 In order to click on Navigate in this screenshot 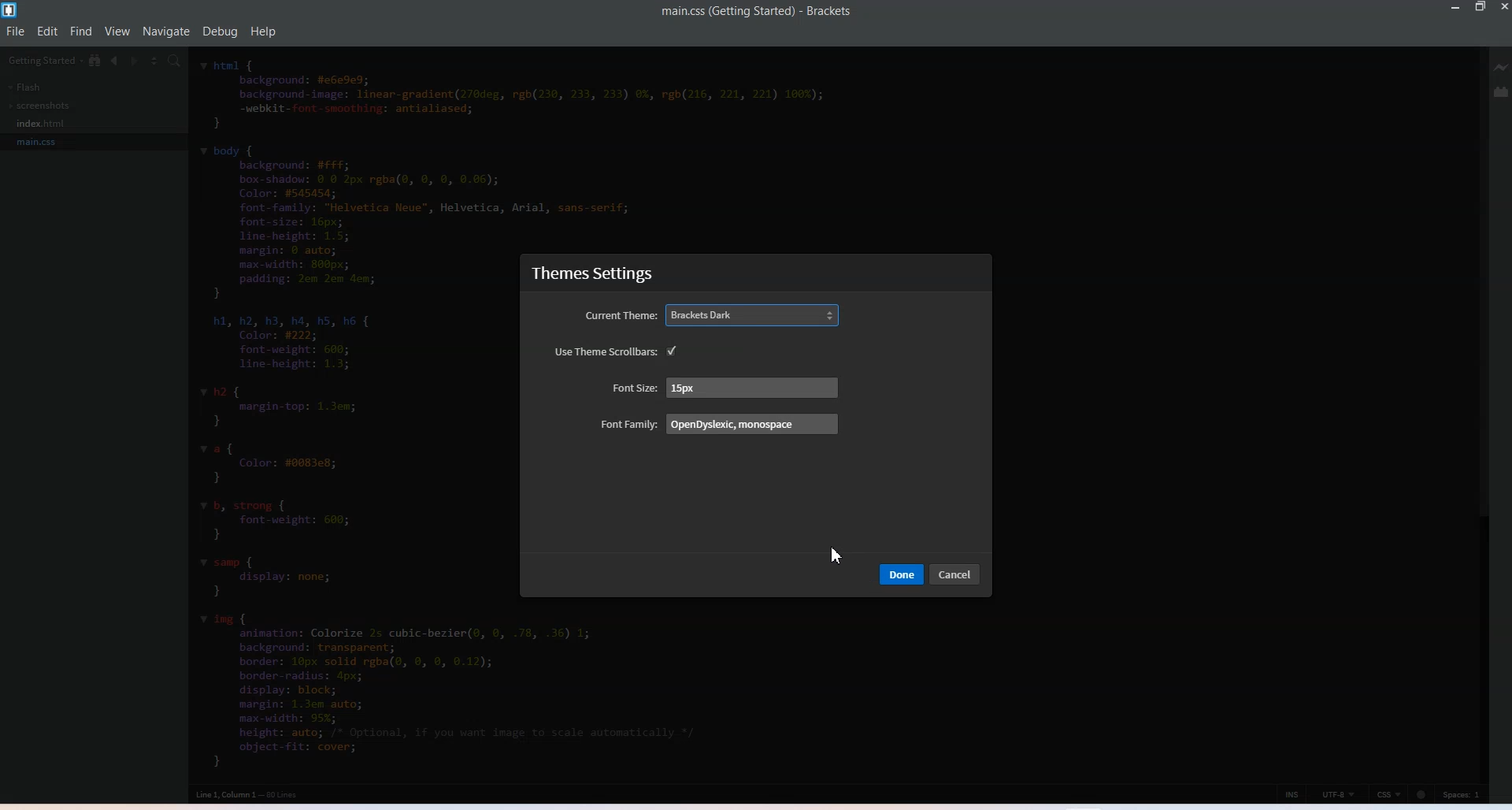, I will do `click(166, 32)`.